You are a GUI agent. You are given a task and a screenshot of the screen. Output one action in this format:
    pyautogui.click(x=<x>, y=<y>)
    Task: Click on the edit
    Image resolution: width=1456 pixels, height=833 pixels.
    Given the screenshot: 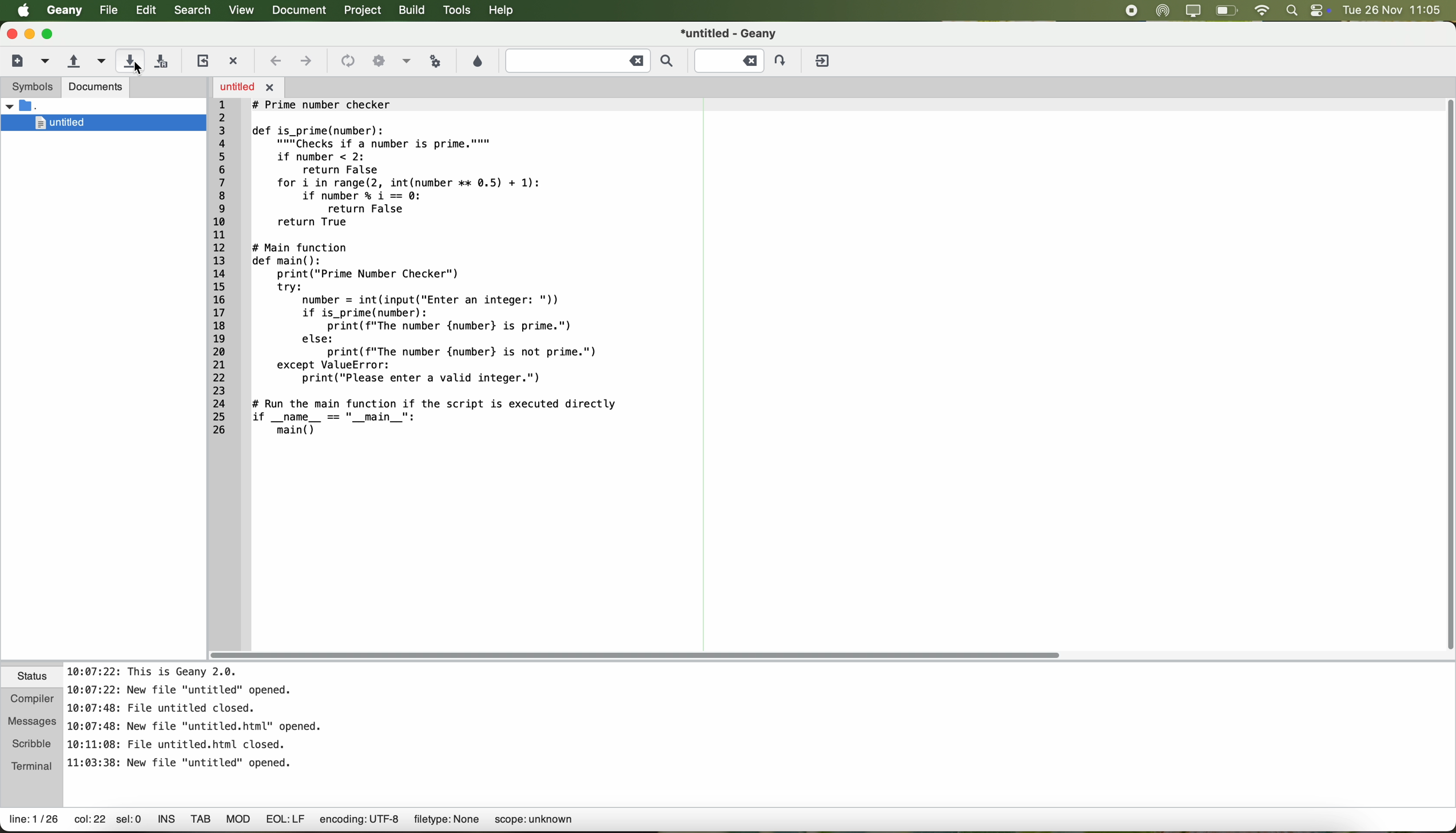 What is the action you would take?
    pyautogui.click(x=146, y=11)
    